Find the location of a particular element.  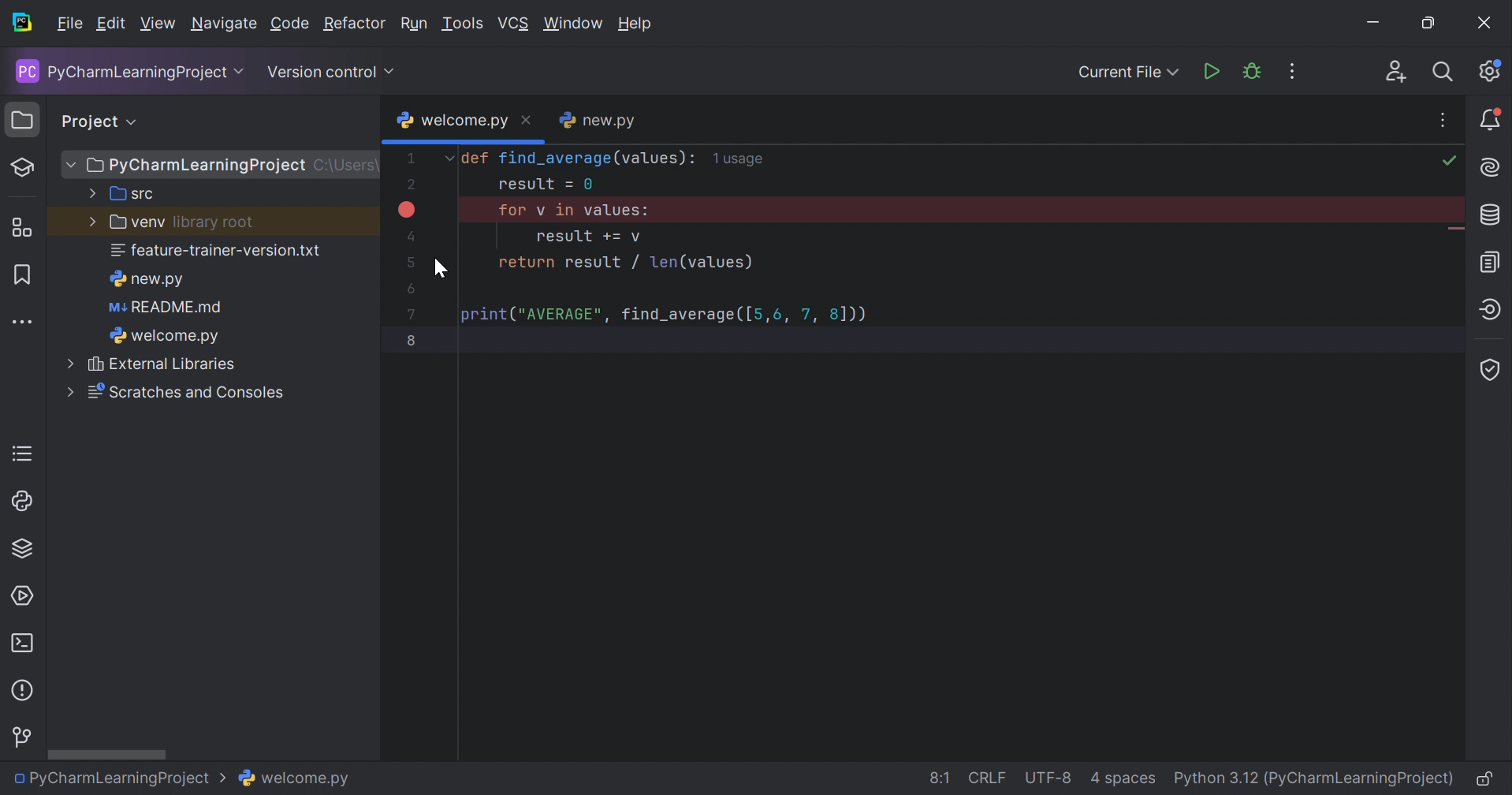

Python 3.12 (PyCharmLearning Project) is located at coordinates (1312, 778).